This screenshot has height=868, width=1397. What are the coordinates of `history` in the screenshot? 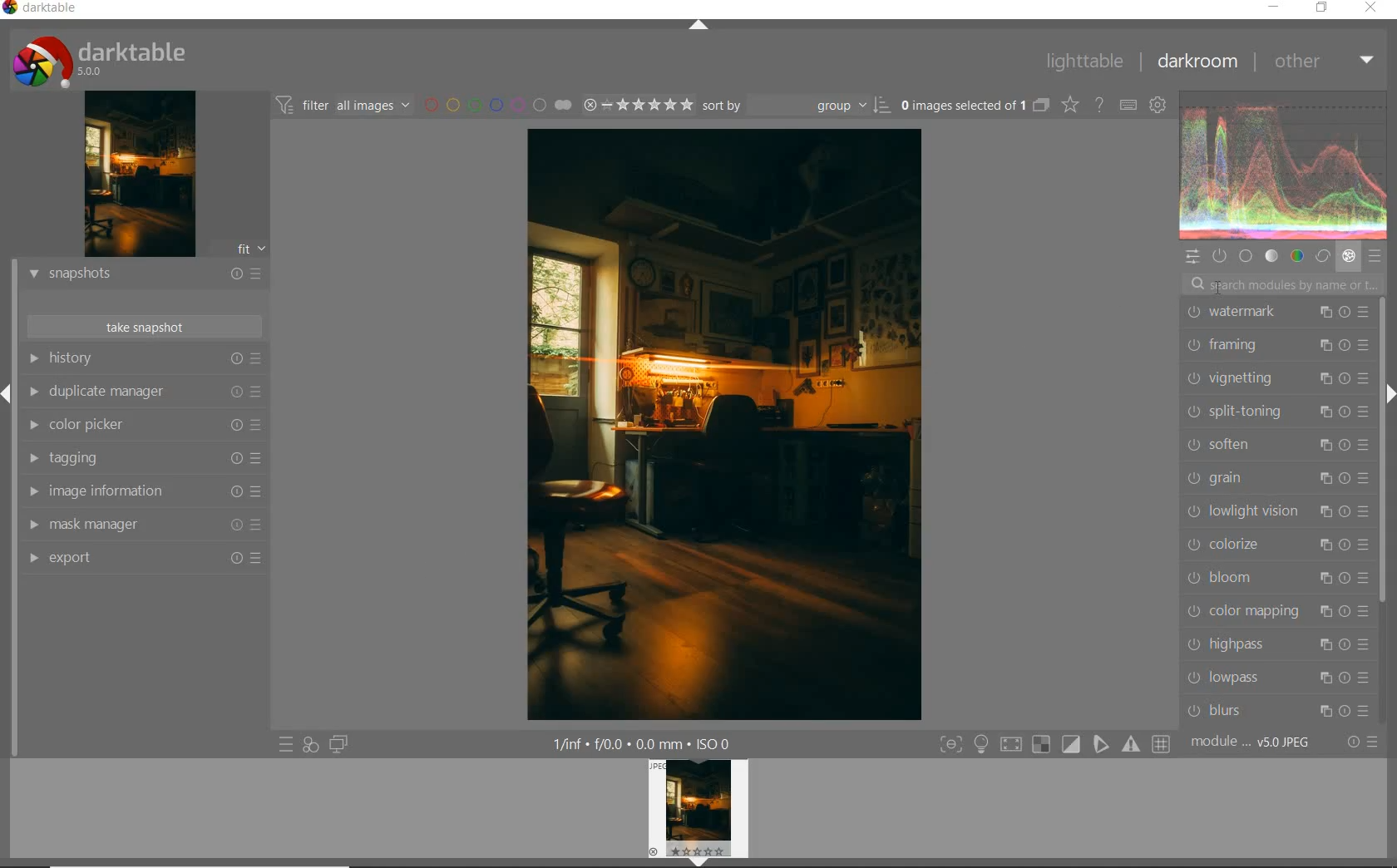 It's located at (144, 358).